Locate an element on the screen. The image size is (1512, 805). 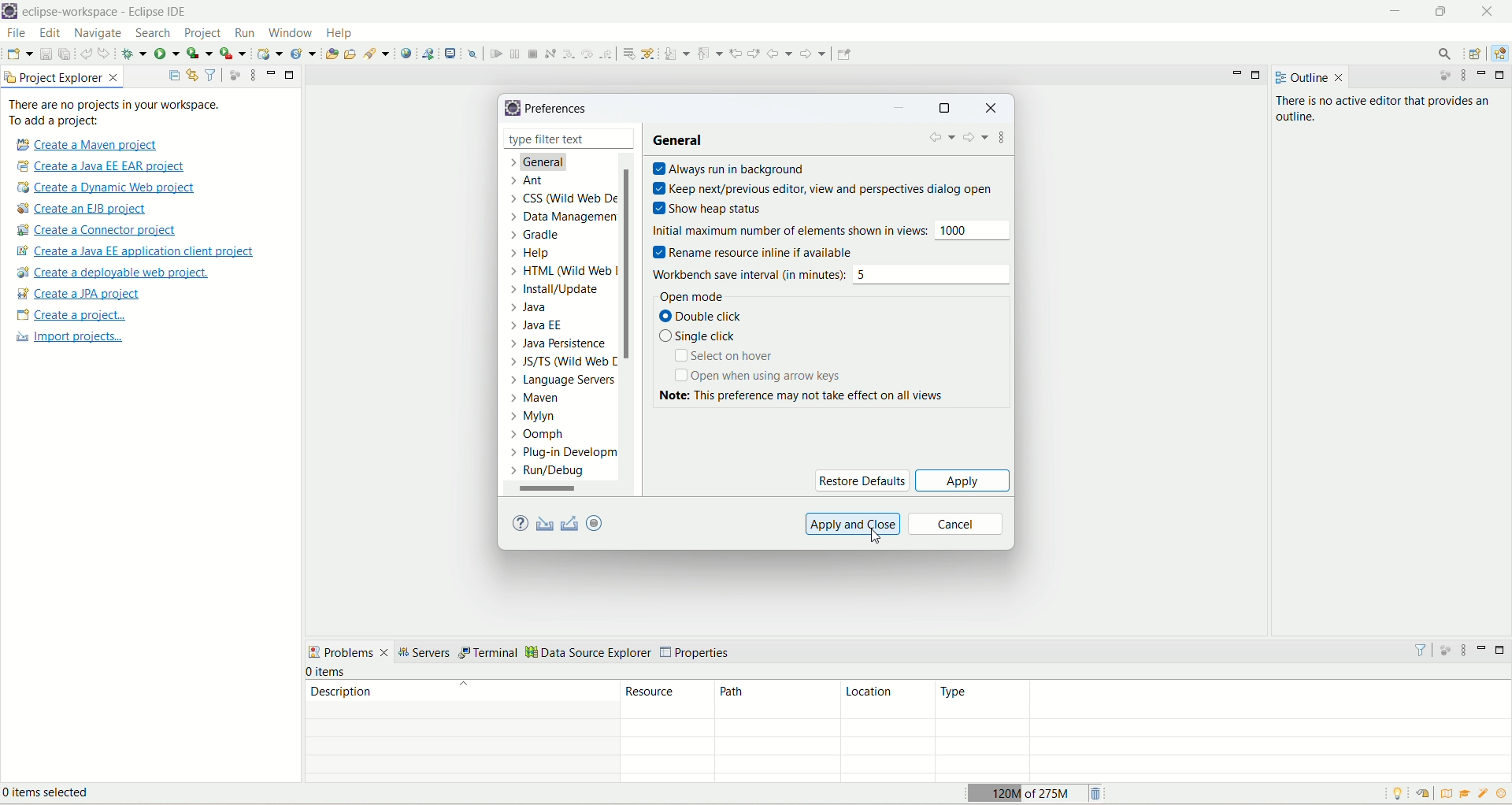
open when using arrow keys is located at coordinates (757, 376).